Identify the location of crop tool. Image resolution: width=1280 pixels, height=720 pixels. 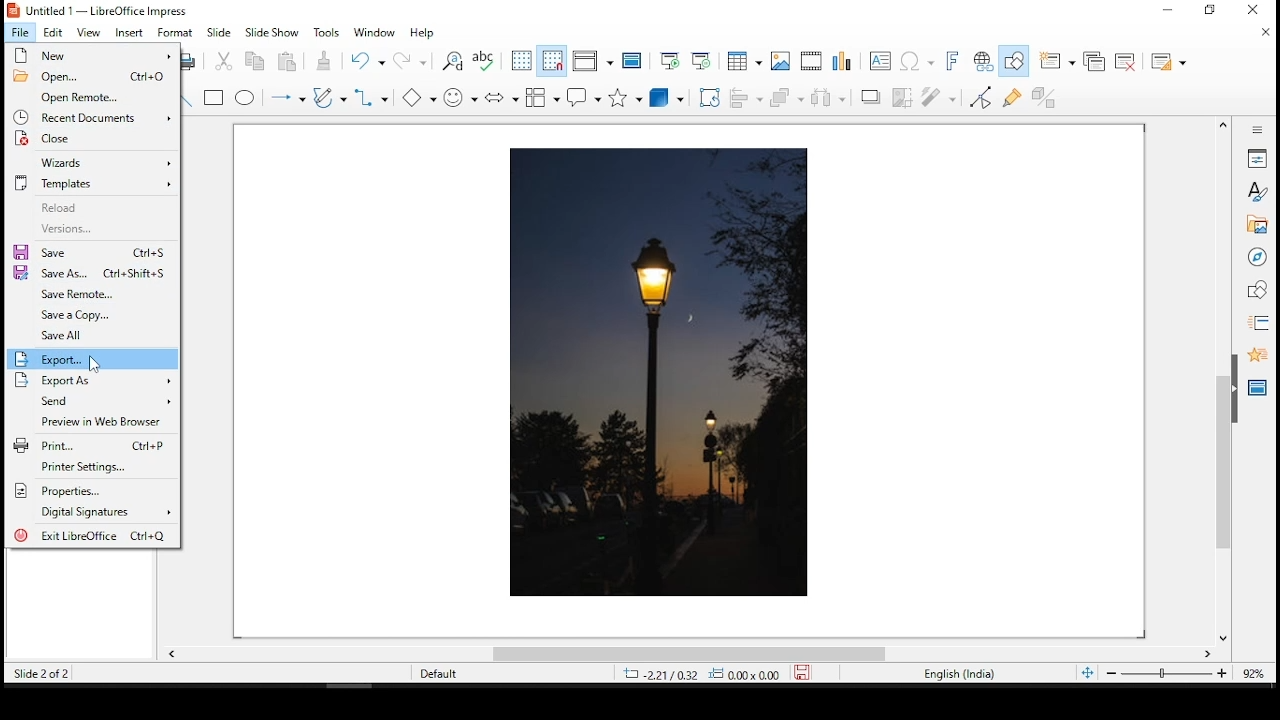
(709, 97).